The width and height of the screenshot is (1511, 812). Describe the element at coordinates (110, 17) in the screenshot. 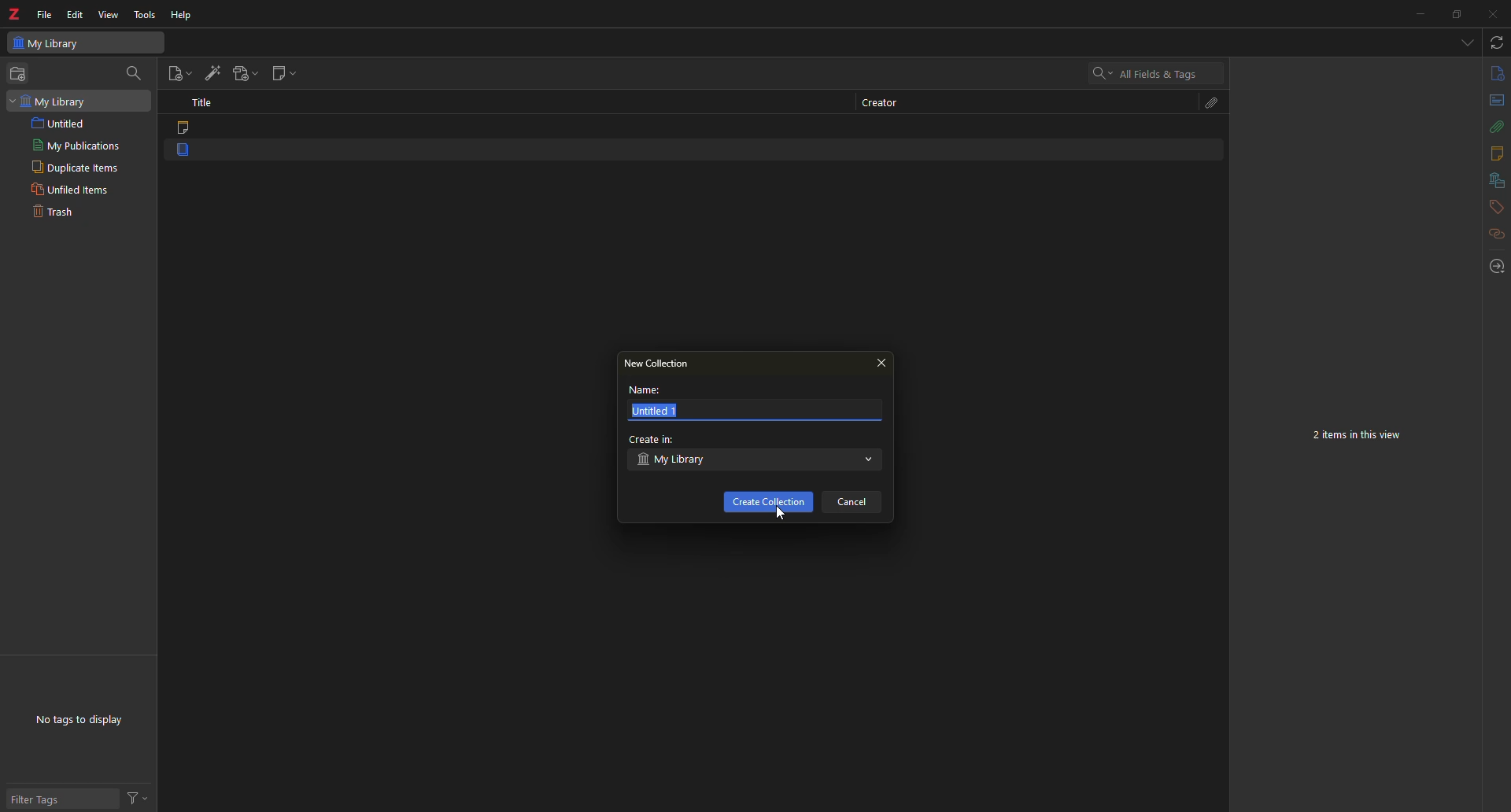

I see `view` at that location.